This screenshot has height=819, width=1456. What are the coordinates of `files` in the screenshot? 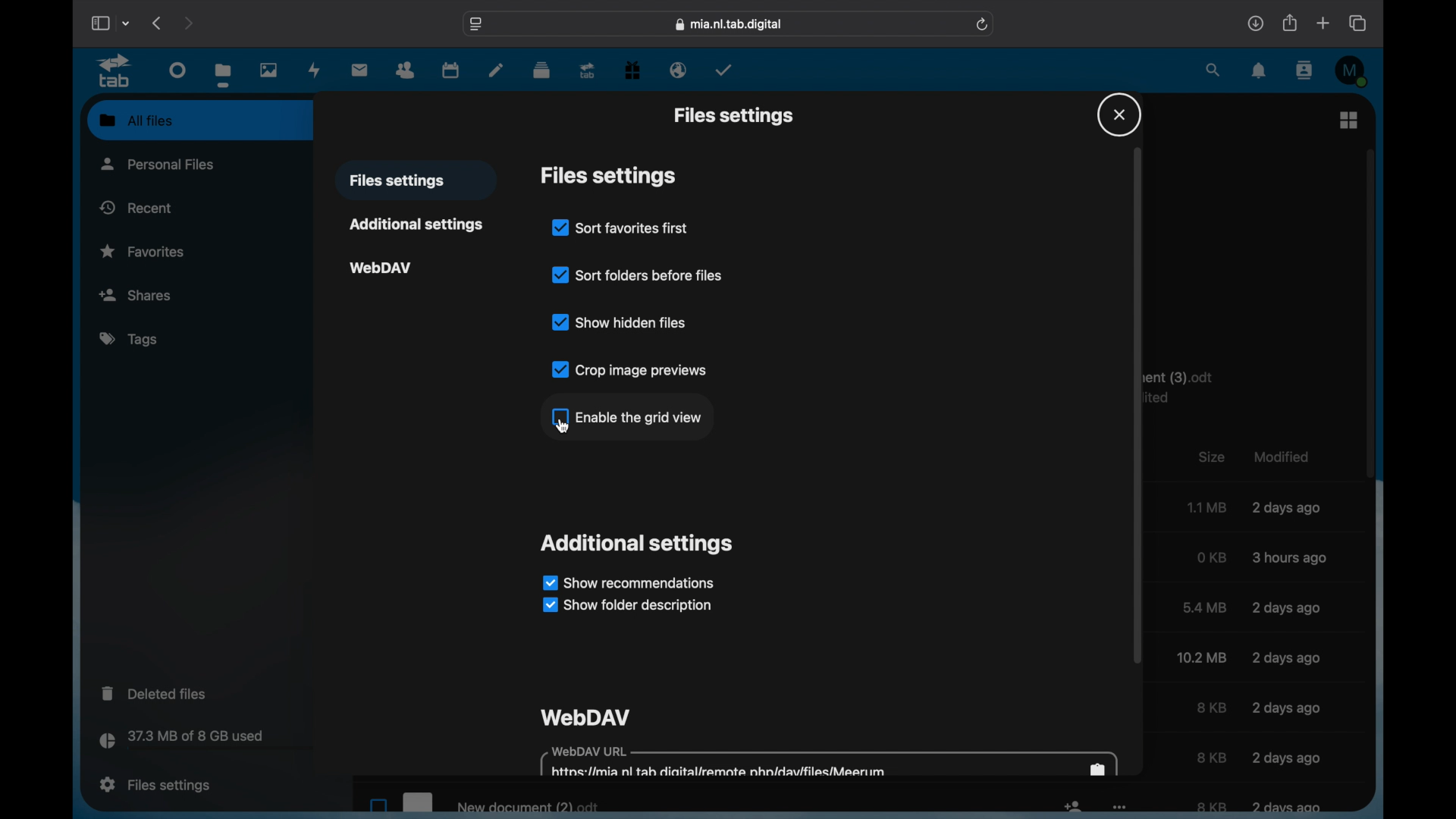 It's located at (224, 74).